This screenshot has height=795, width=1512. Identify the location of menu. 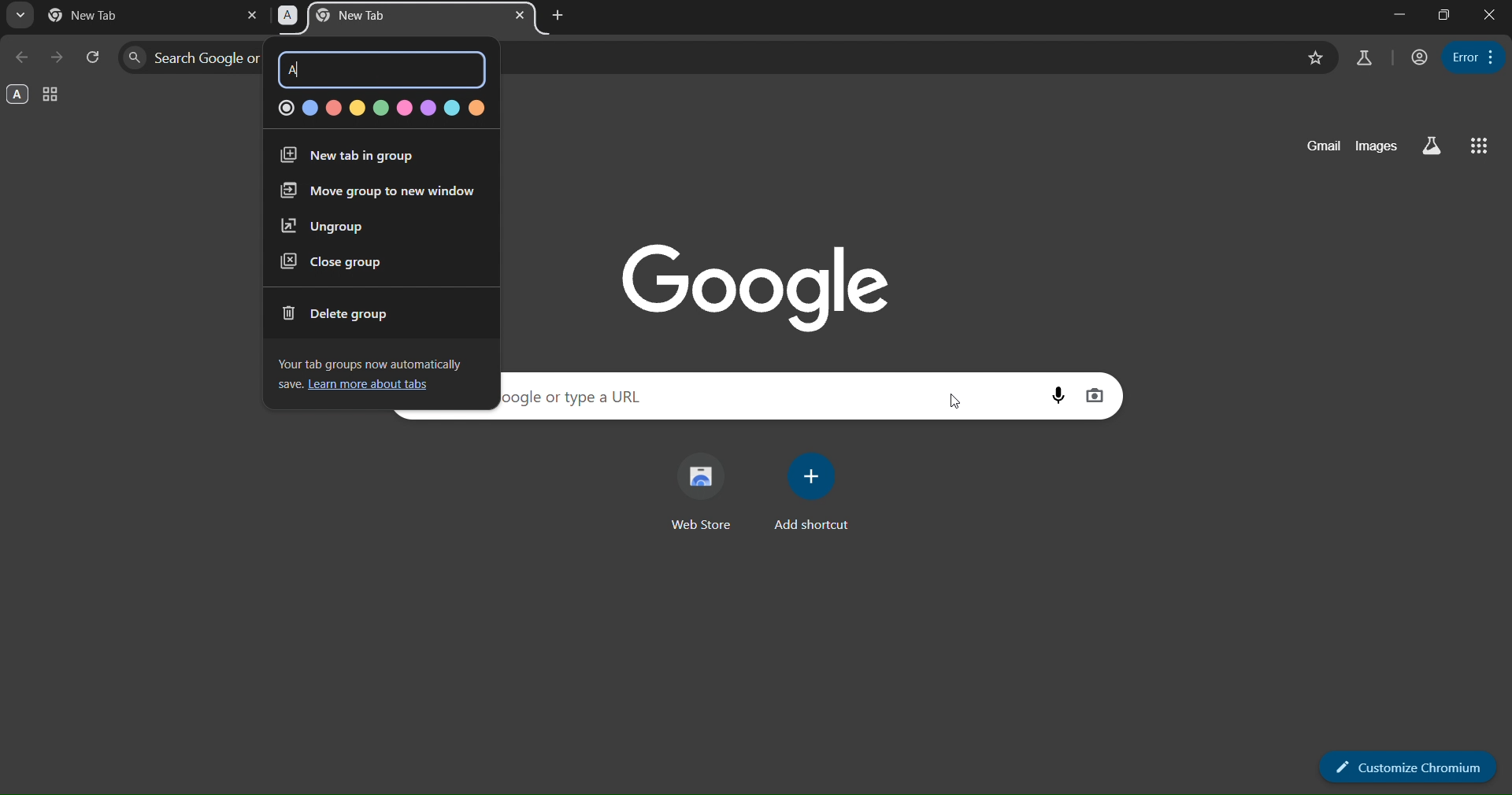
(1471, 57).